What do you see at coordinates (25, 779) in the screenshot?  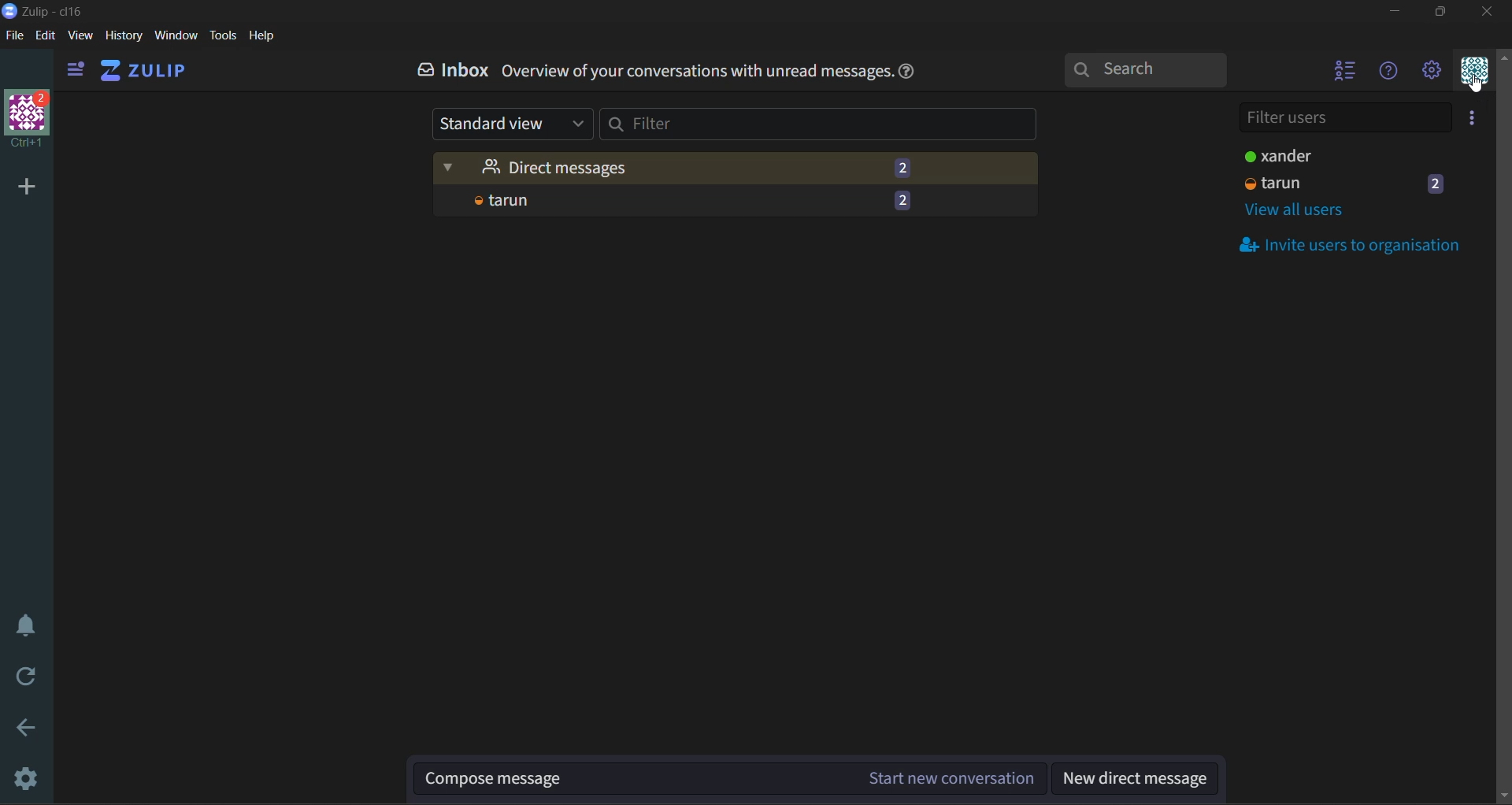 I see `settings` at bounding box center [25, 779].